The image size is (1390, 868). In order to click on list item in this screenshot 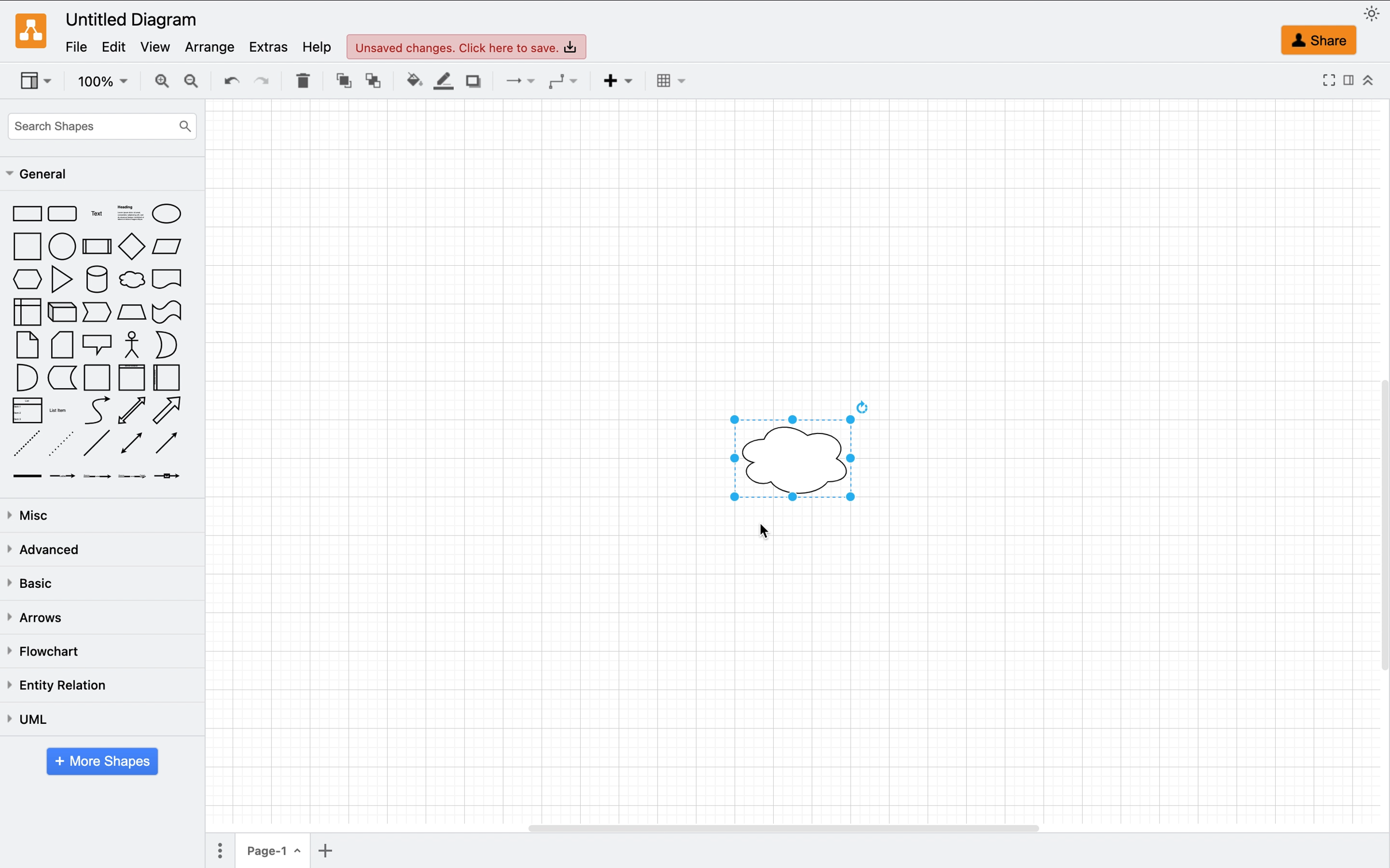, I will do `click(62, 410)`.